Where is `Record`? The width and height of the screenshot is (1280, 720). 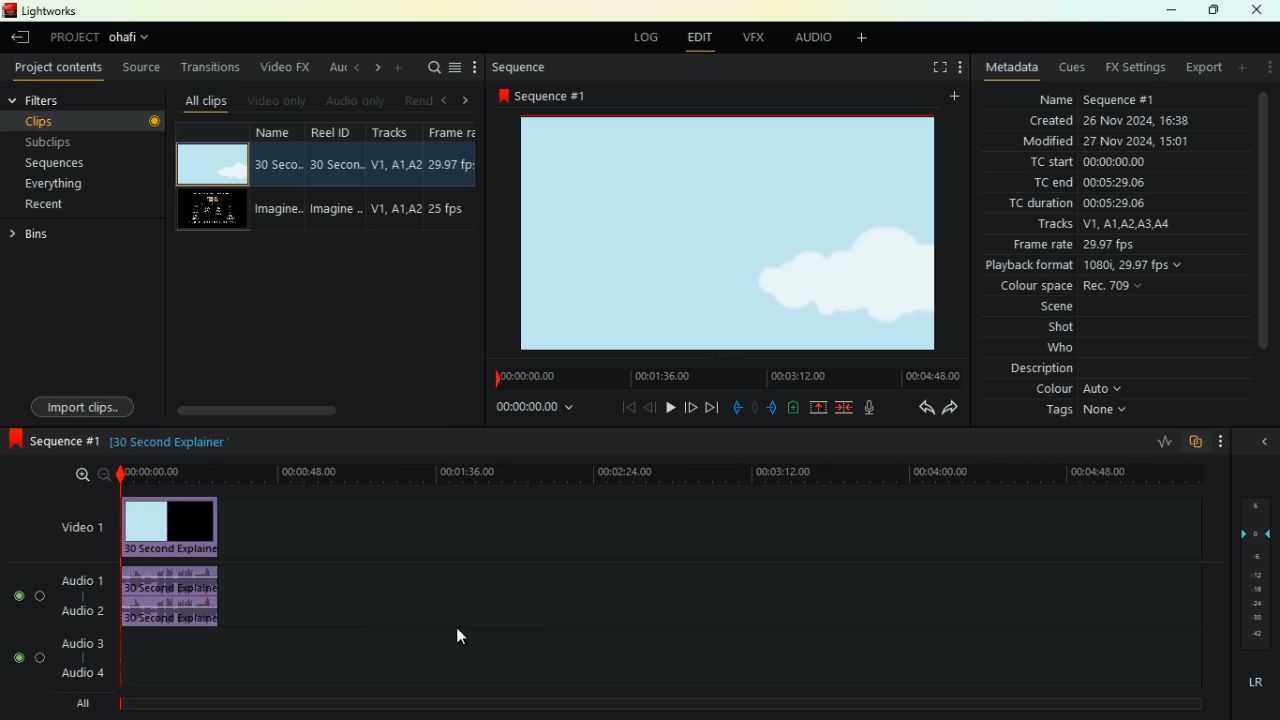 Record is located at coordinates (156, 121).